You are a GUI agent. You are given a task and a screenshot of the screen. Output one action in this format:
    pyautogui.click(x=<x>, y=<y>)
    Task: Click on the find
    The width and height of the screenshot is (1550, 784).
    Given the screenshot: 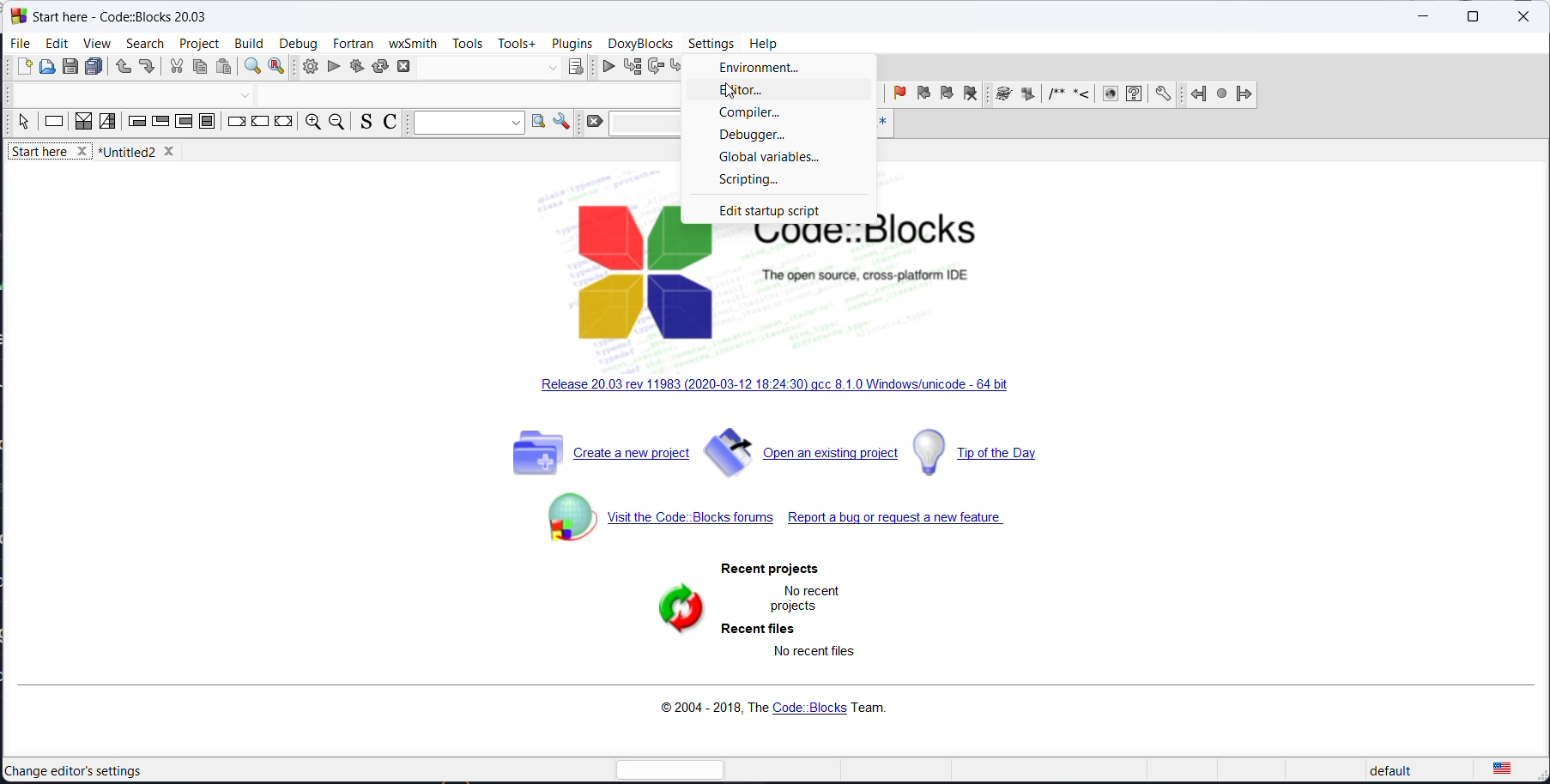 What is the action you would take?
    pyautogui.click(x=251, y=69)
    